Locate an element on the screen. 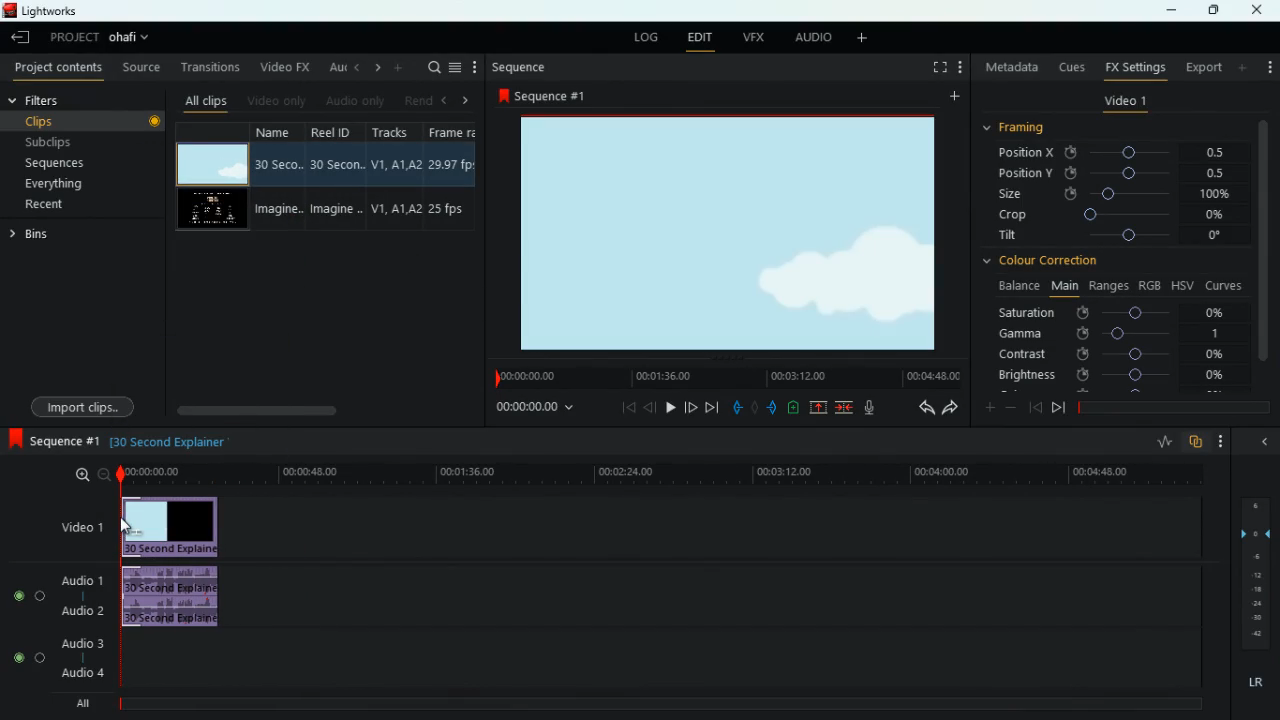 The width and height of the screenshot is (1280, 720). beggining is located at coordinates (622, 406).